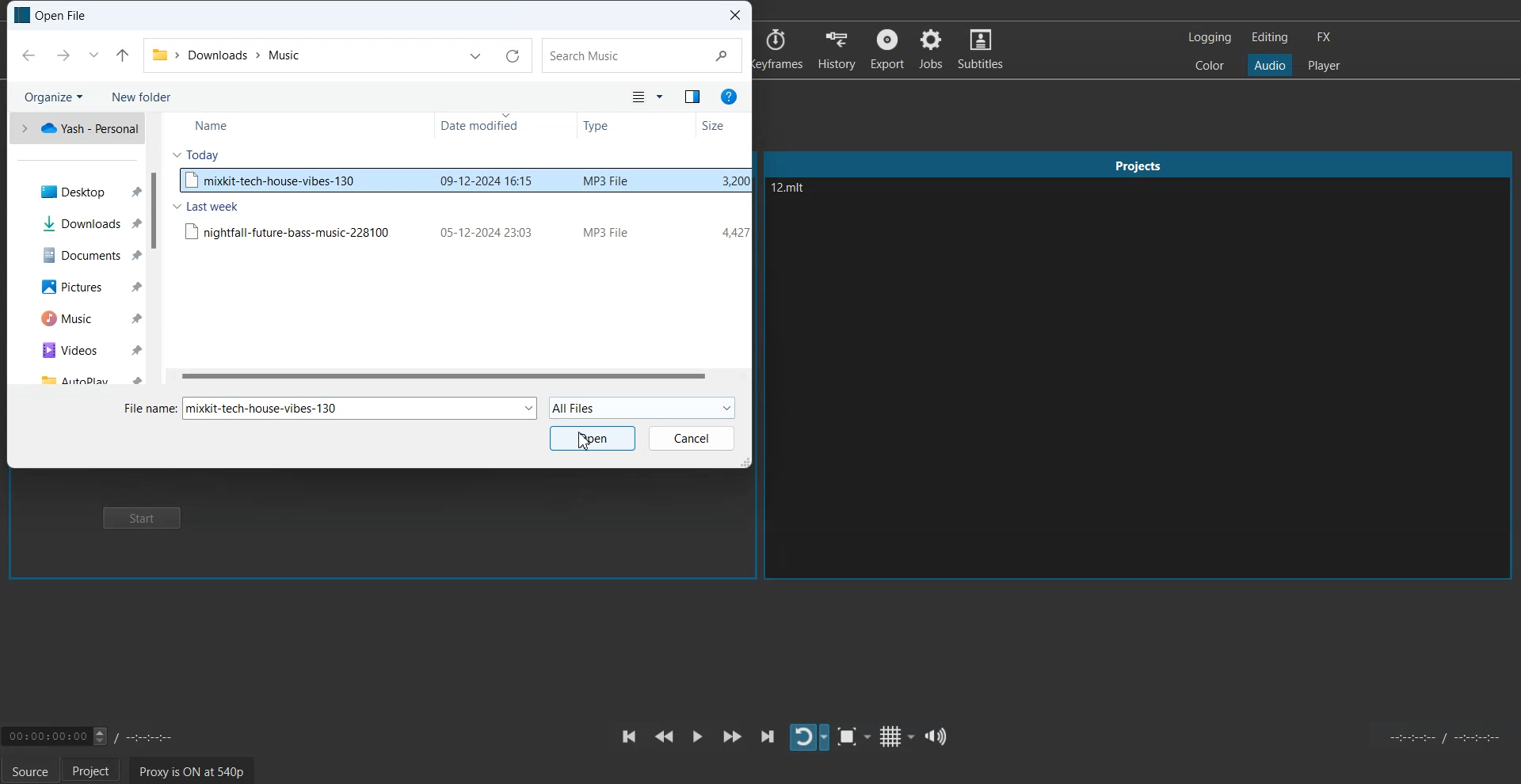  I want to click on History, so click(839, 48).